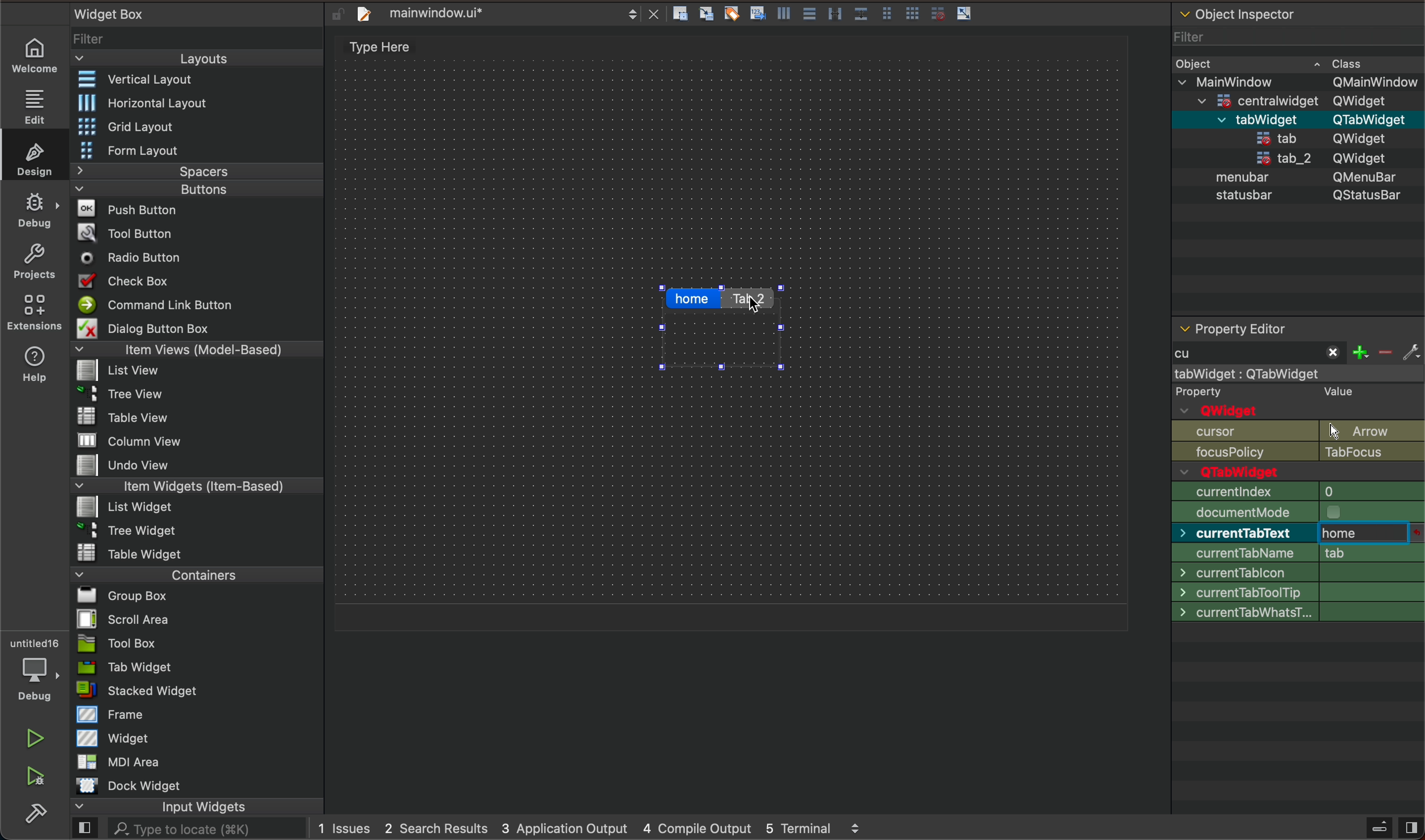 The image size is (1425, 840). I want to click on mainwindow, so click(1300, 373).